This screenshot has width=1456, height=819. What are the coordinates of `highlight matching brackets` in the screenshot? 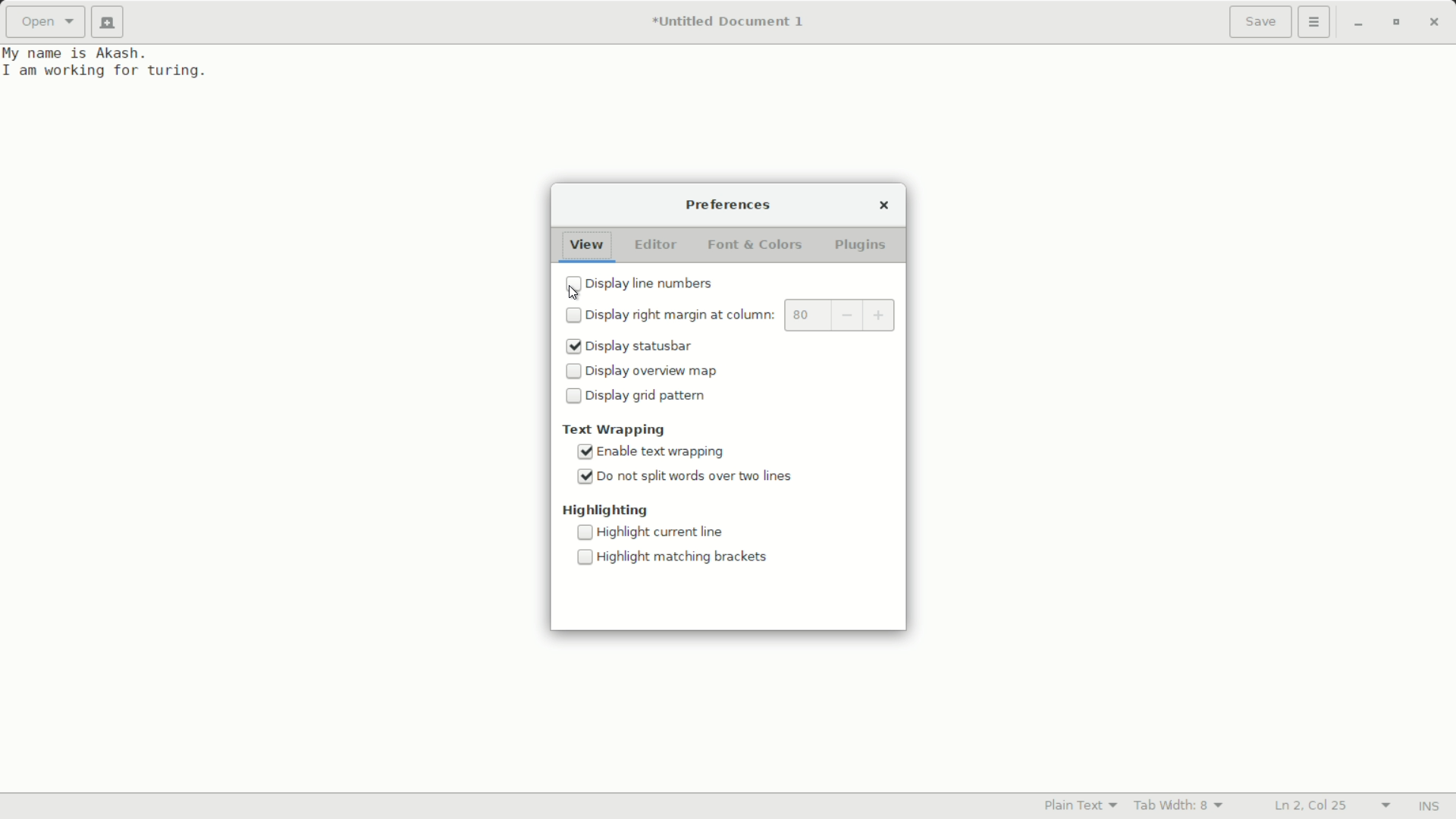 It's located at (685, 558).